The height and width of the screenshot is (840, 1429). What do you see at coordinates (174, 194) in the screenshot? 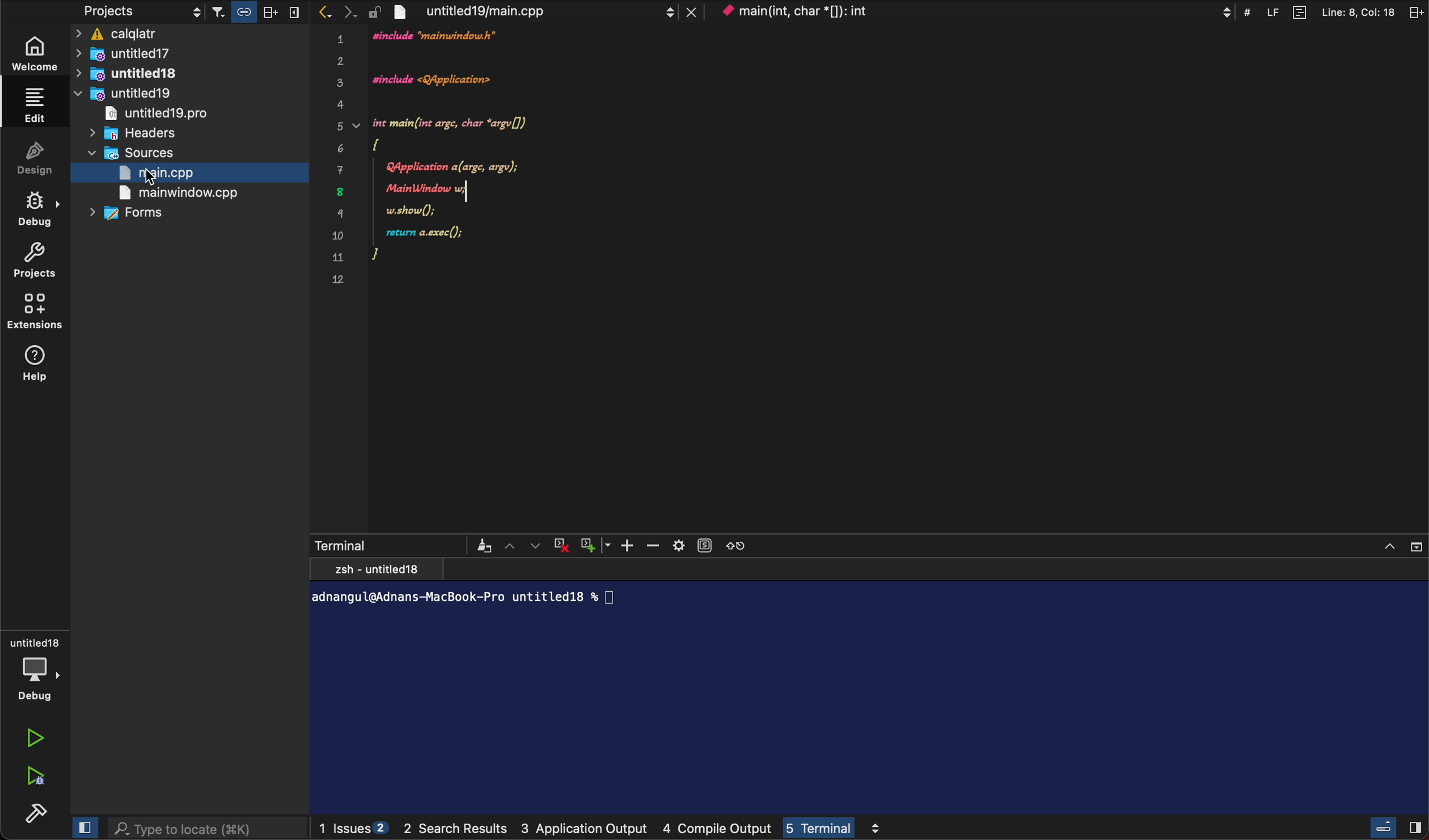
I see `main window` at bounding box center [174, 194].